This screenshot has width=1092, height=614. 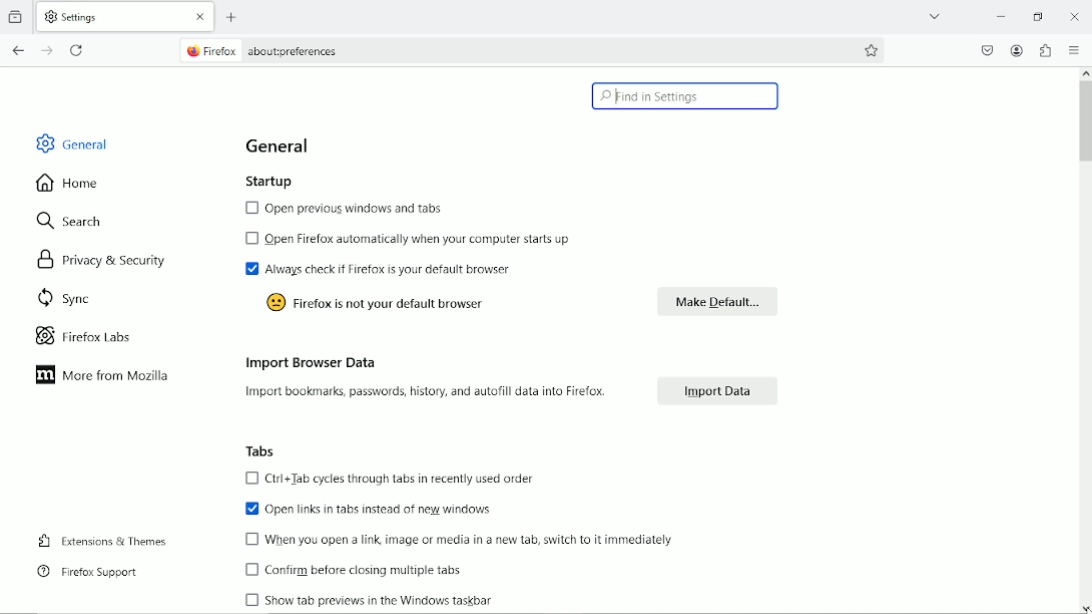 I want to click on More from Mozilla, so click(x=102, y=375).